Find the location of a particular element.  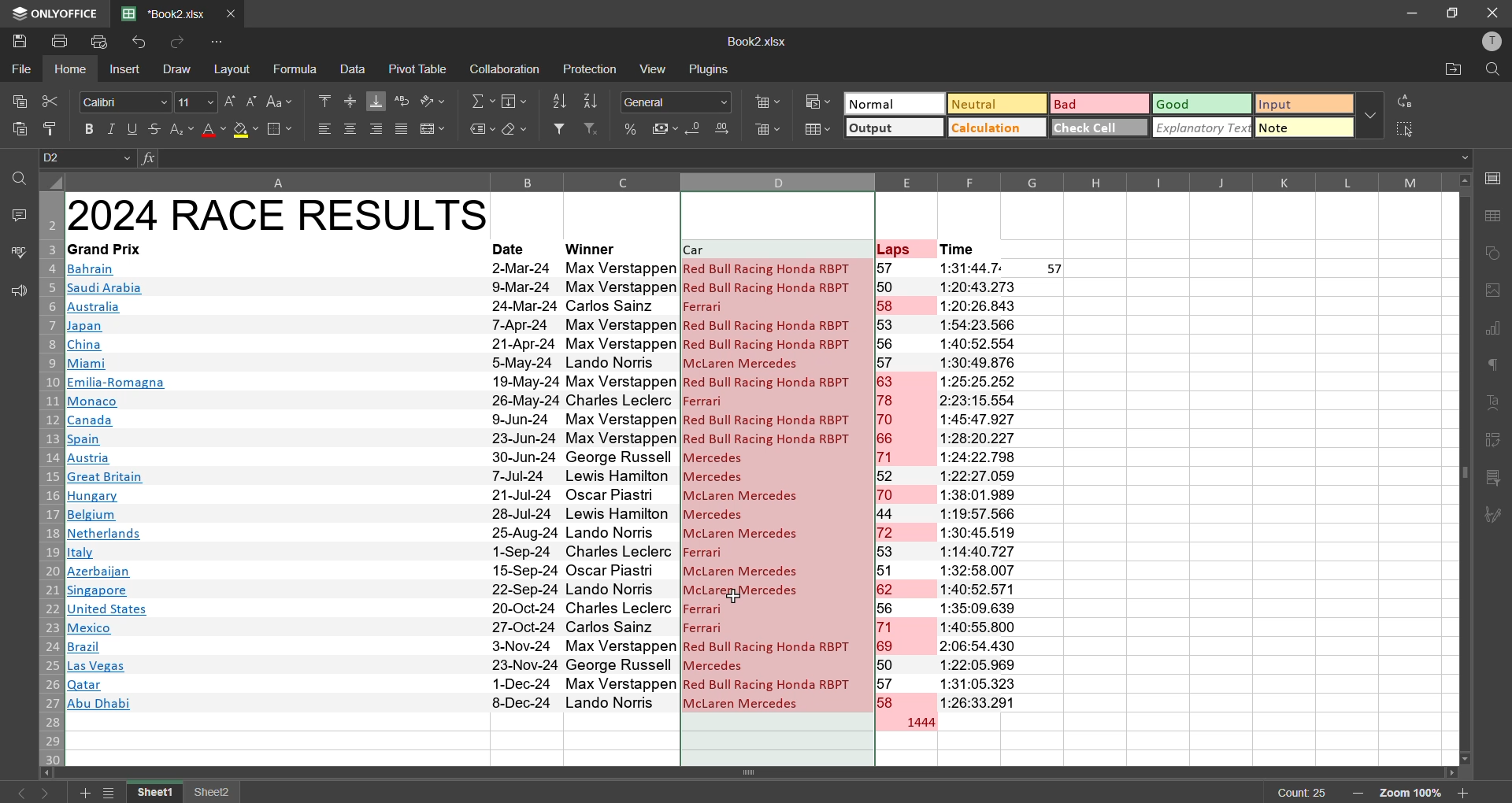

align middle is located at coordinates (350, 99).